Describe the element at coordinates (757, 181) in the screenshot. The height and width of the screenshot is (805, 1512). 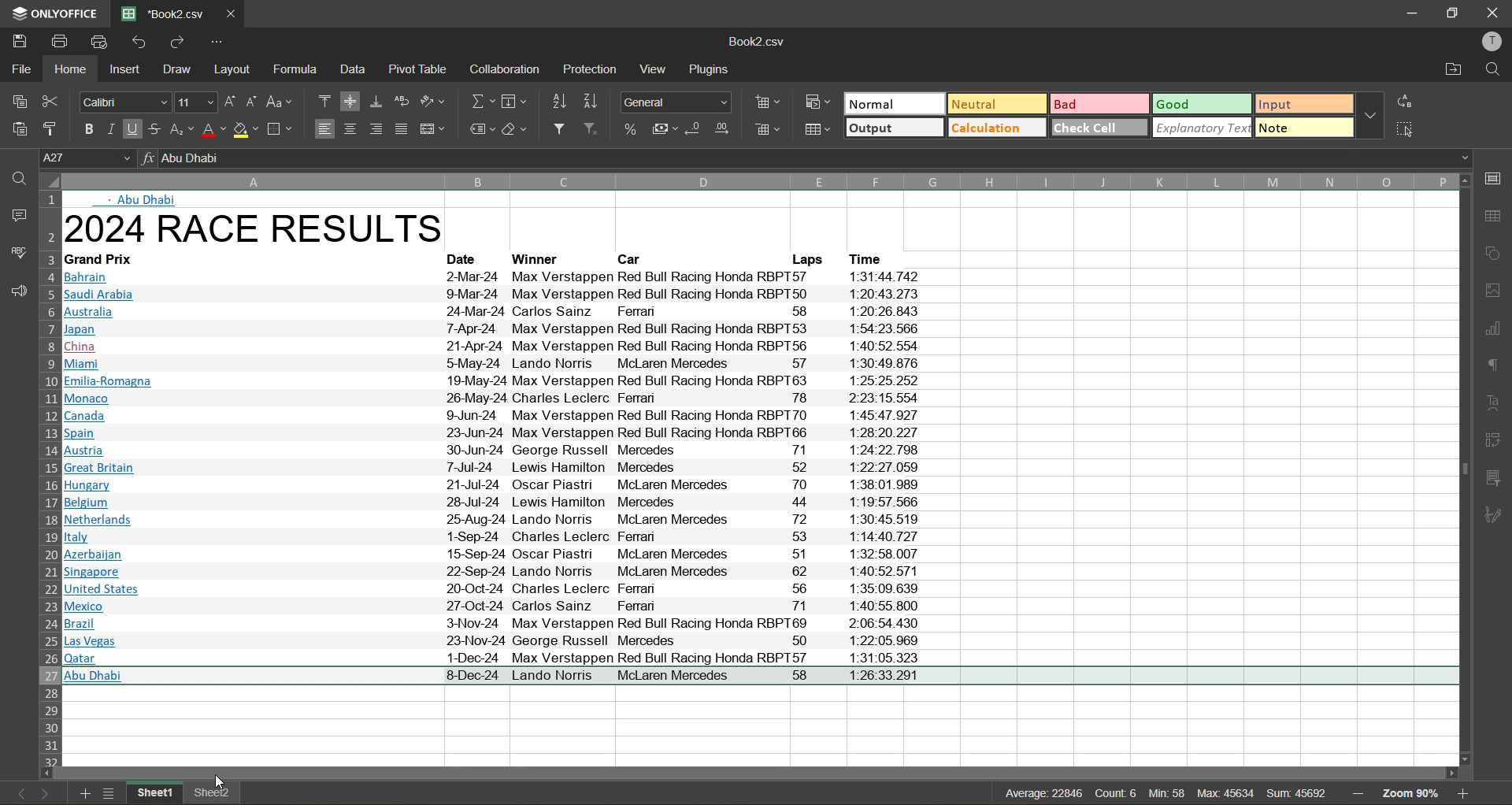
I see `column names` at that location.